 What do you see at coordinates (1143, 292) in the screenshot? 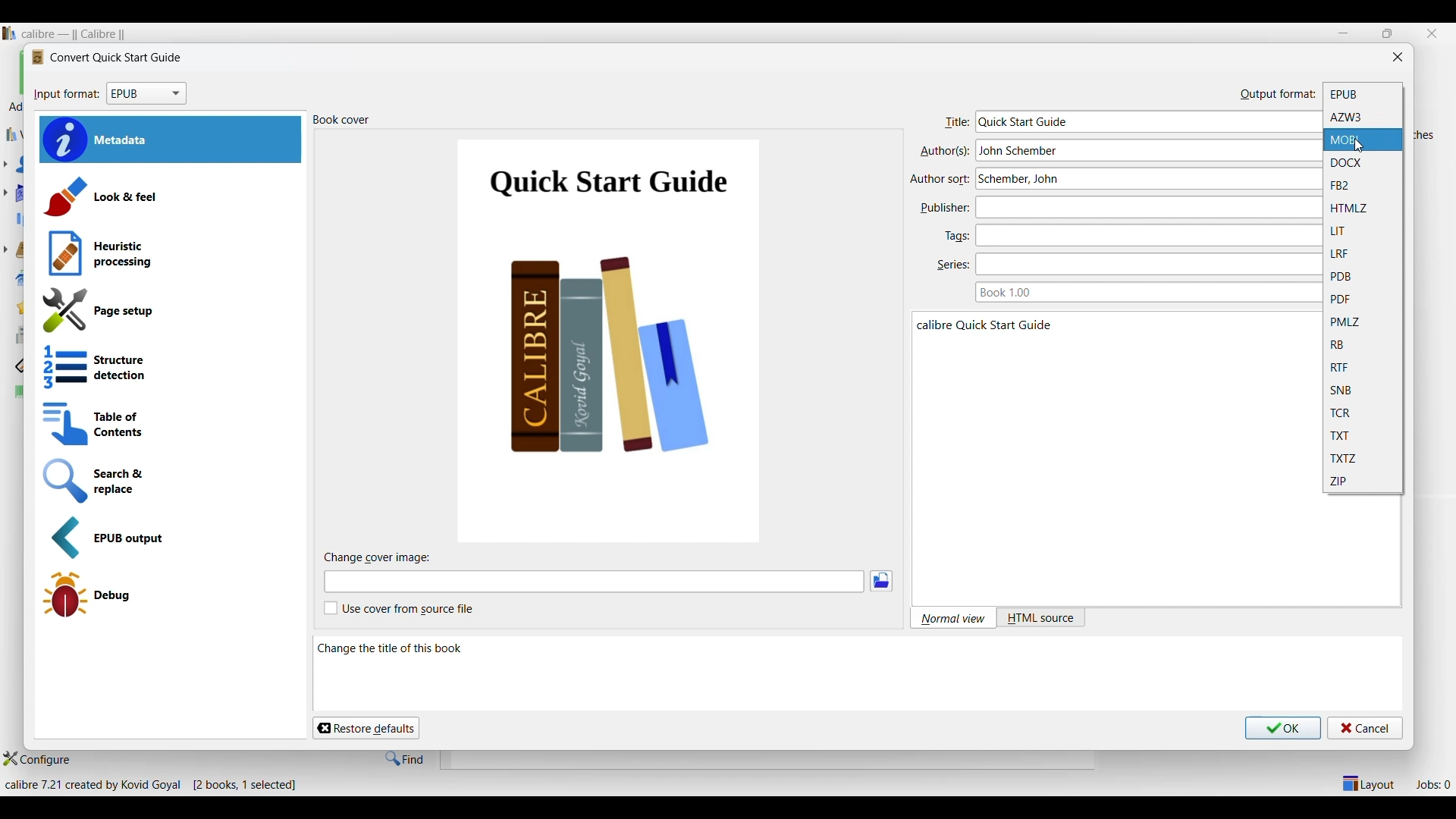
I see `Type in book series` at bounding box center [1143, 292].